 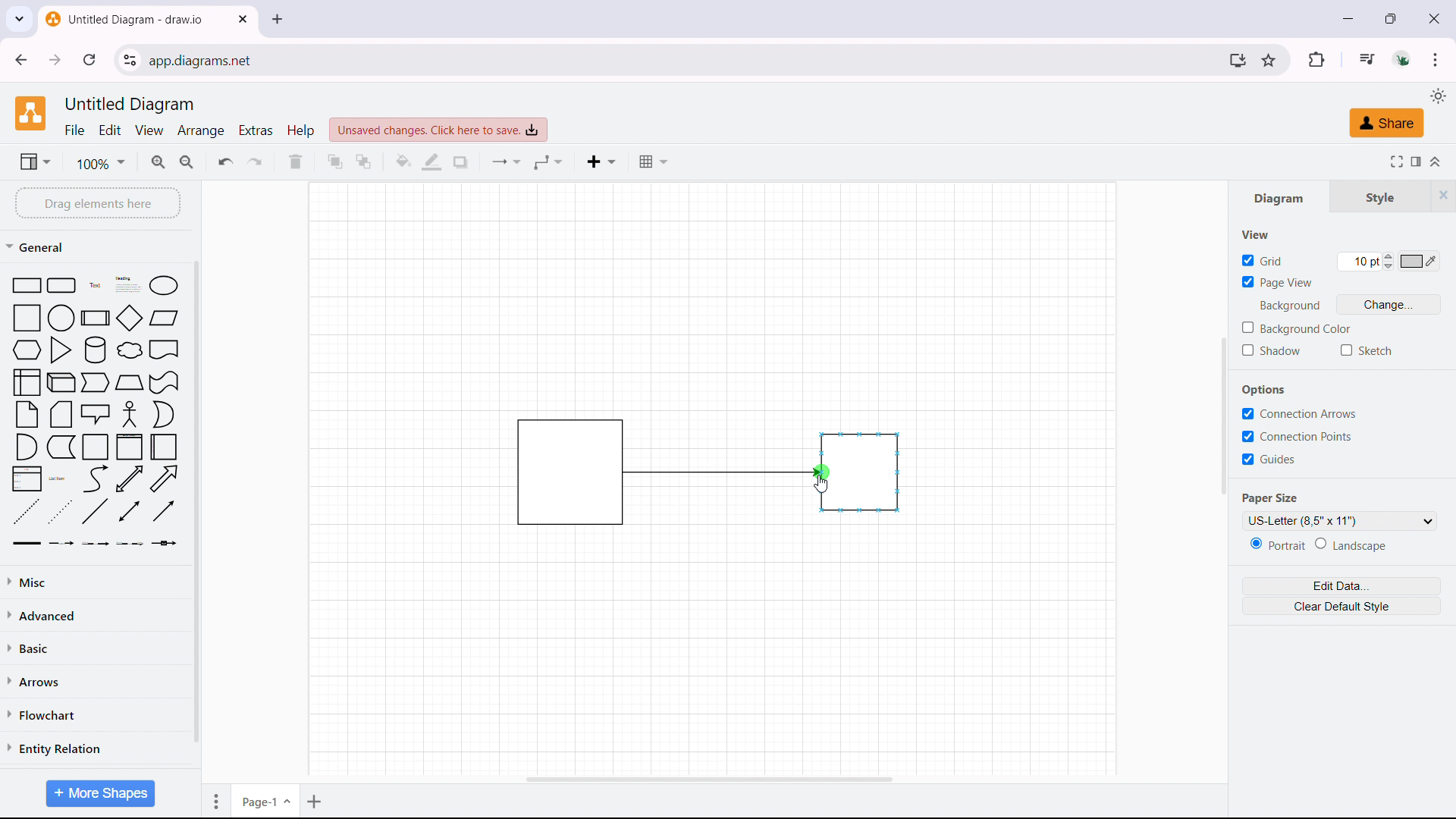 I want to click on maximize, so click(x=1394, y=17).